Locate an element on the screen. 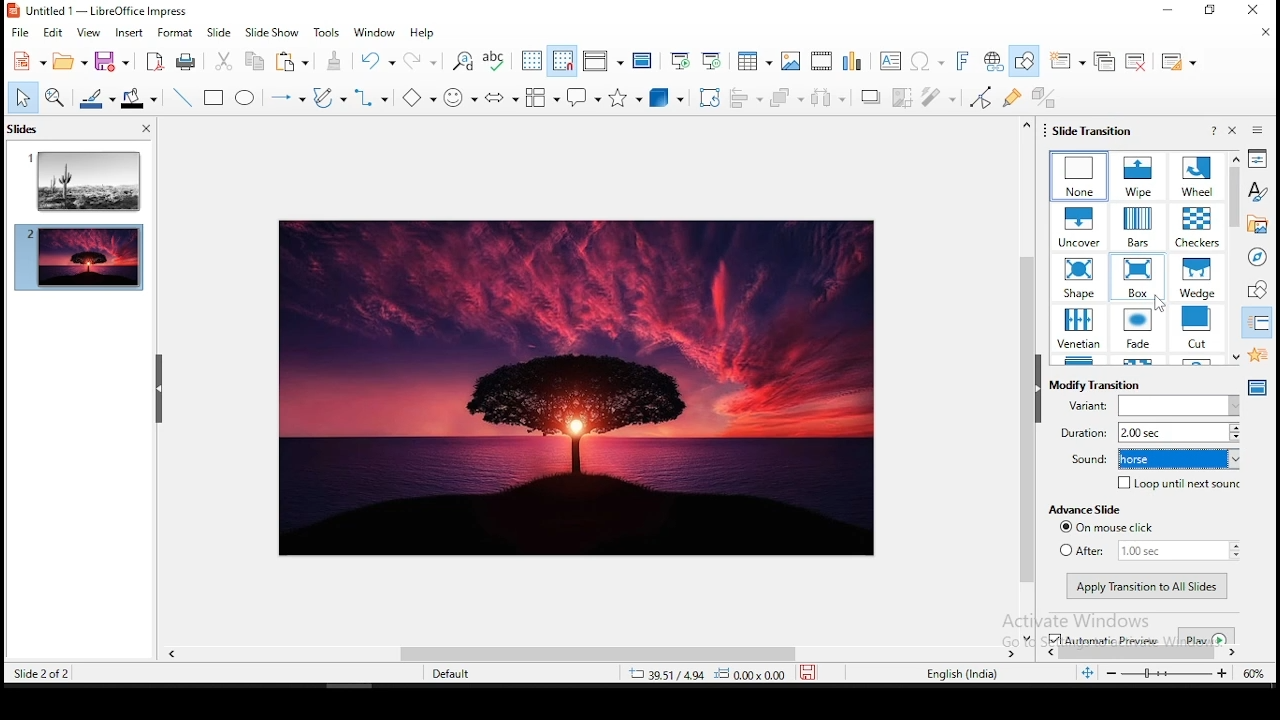 Image resolution: width=1280 pixels, height=720 pixels. on mouse click is located at coordinates (1113, 527).